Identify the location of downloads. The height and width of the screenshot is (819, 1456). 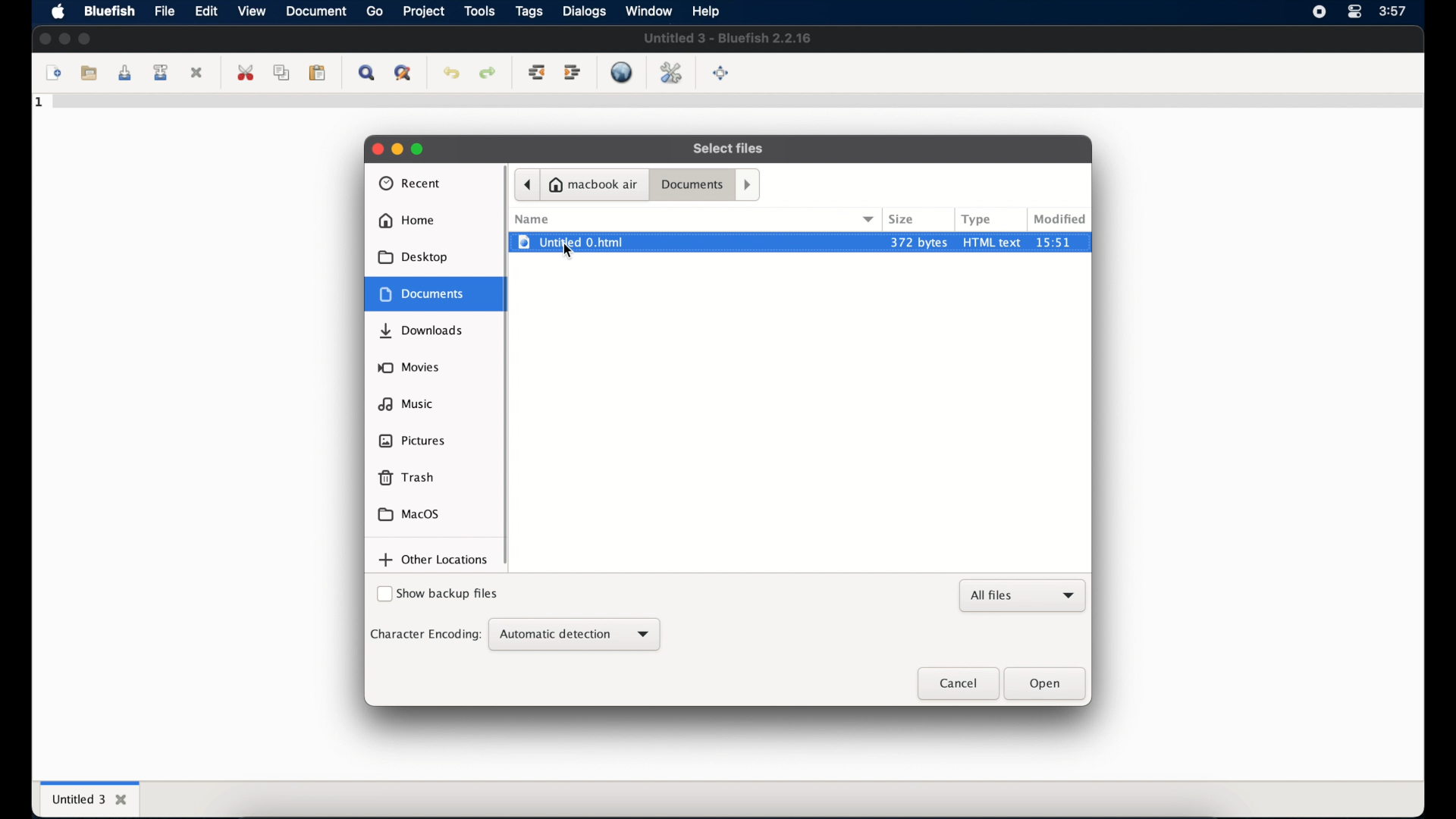
(423, 331).